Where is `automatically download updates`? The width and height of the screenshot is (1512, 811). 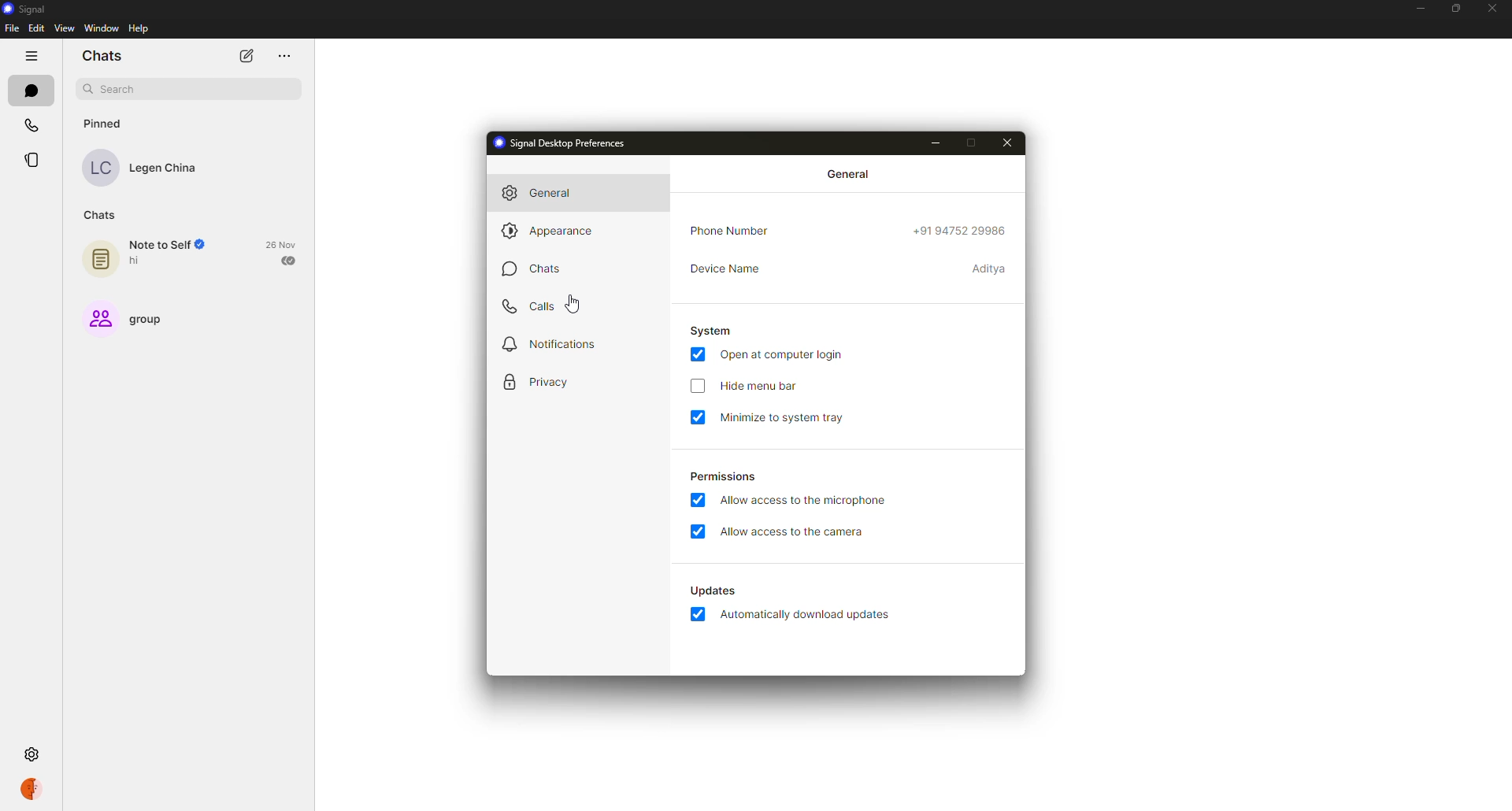
automatically download updates is located at coordinates (810, 614).